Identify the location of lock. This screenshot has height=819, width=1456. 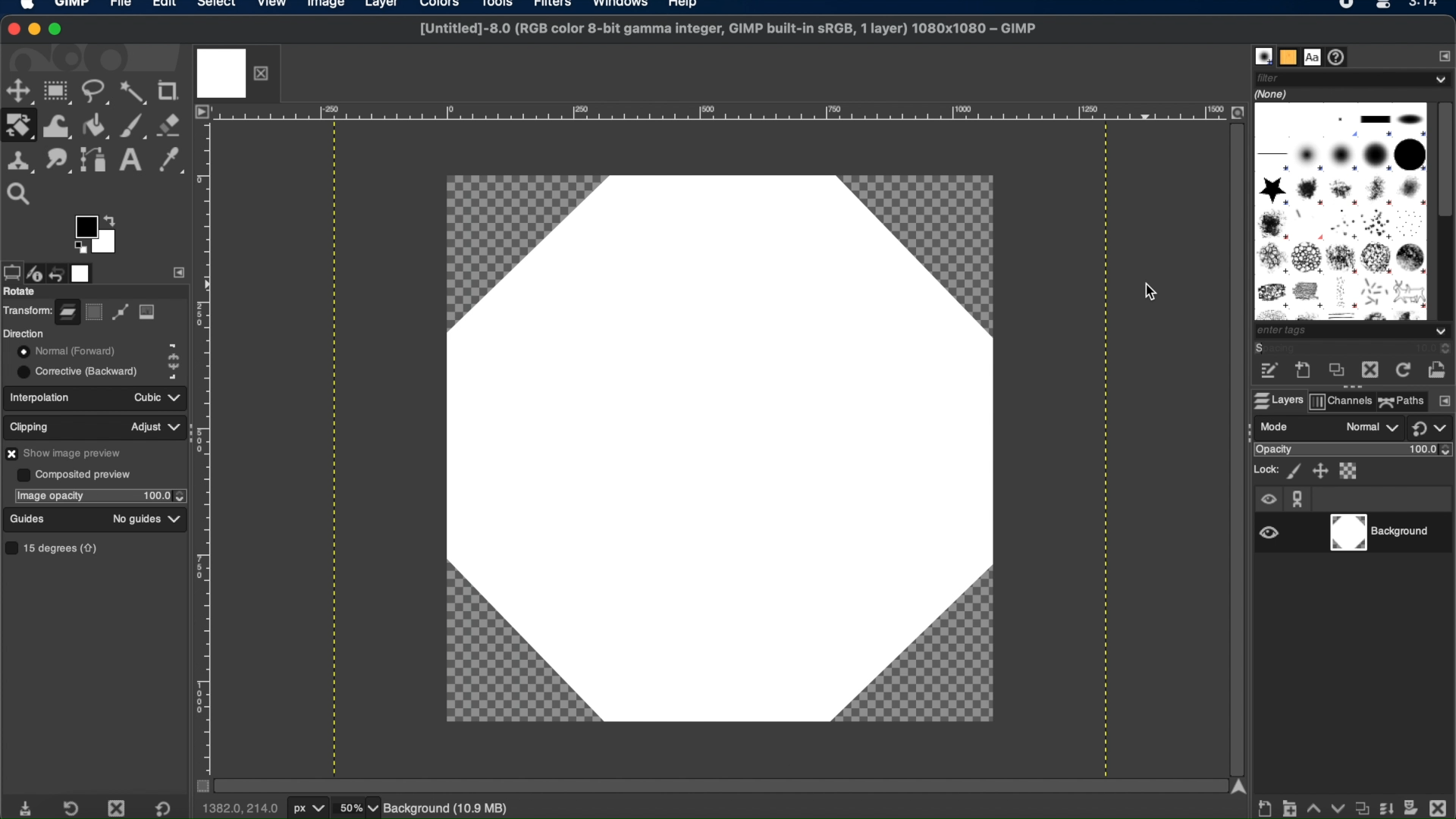
(1264, 469).